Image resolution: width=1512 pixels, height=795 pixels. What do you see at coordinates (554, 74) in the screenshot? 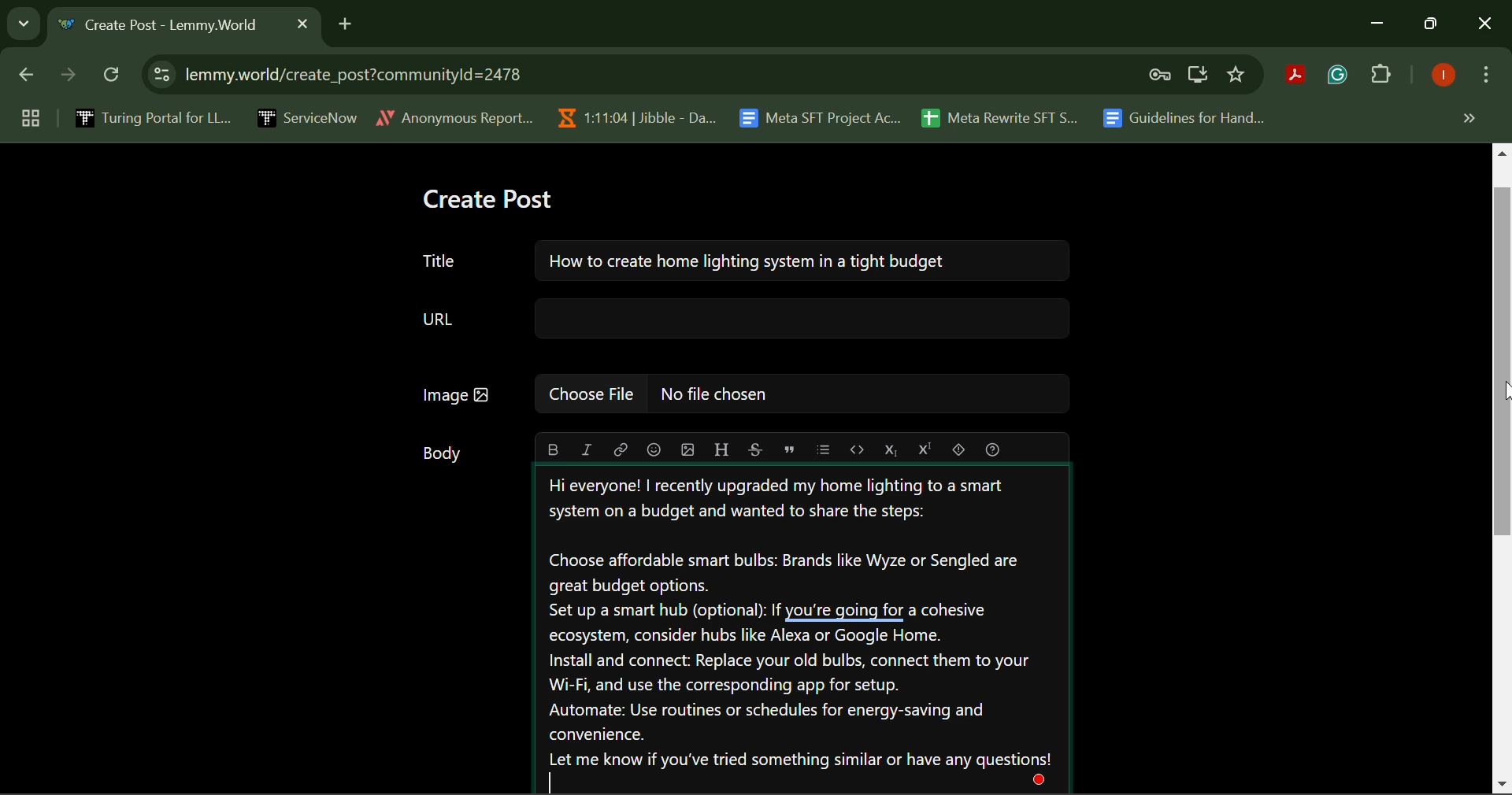
I see `Website Address` at bounding box center [554, 74].